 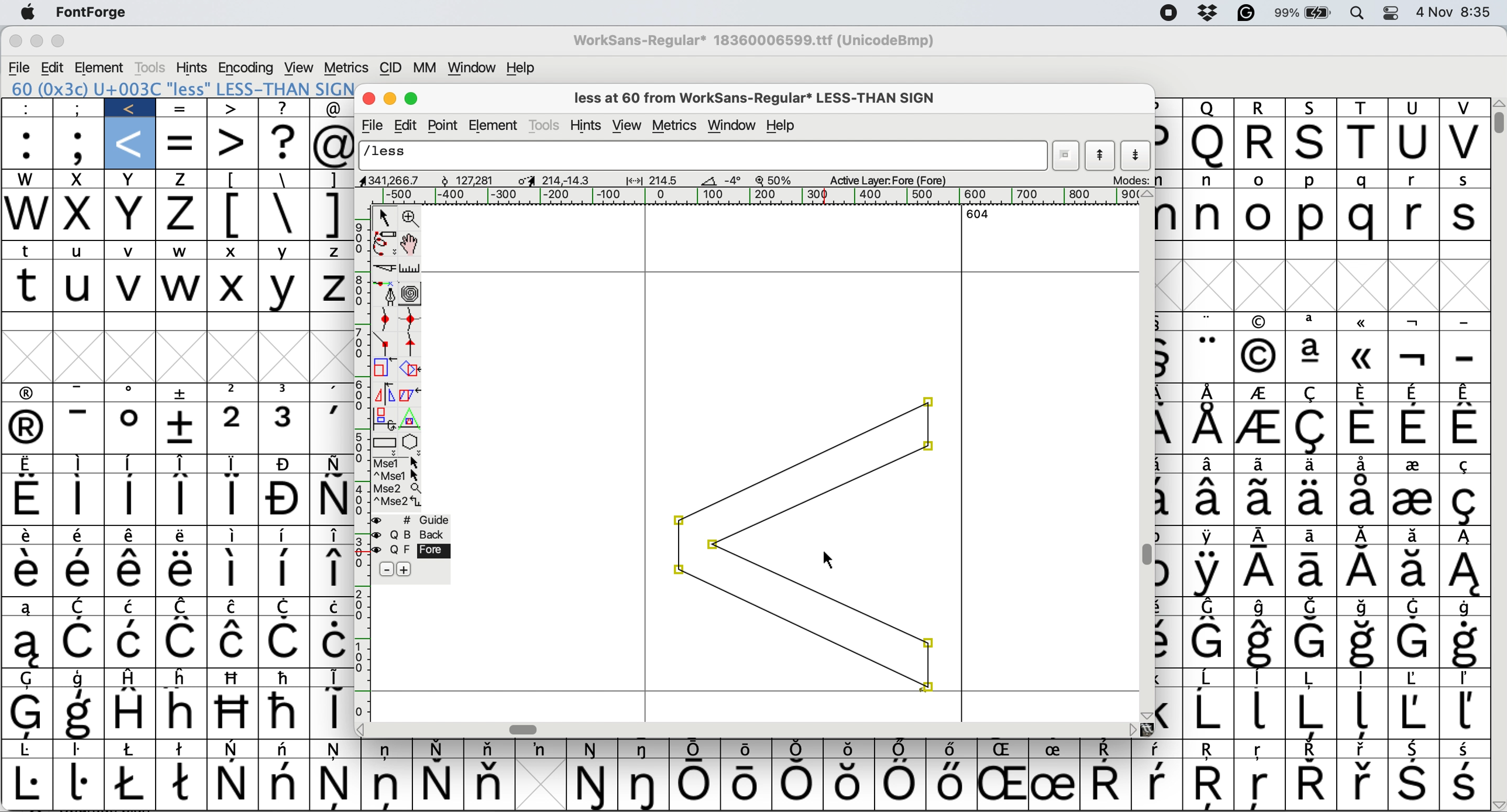 What do you see at coordinates (1309, 394) in the screenshot?
I see `Symbol` at bounding box center [1309, 394].